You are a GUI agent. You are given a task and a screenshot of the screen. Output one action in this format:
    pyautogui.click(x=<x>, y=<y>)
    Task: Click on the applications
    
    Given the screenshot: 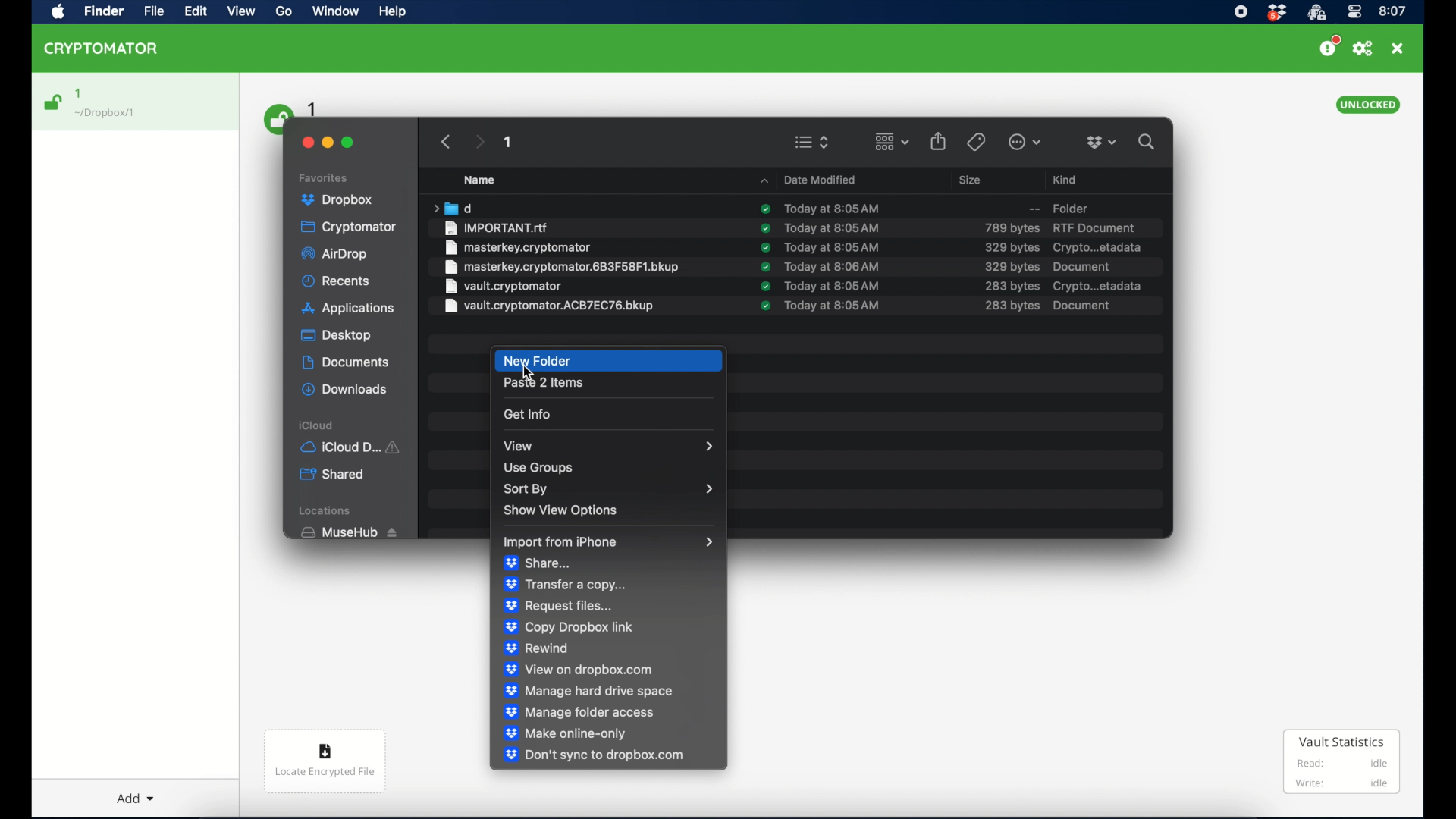 What is the action you would take?
    pyautogui.click(x=349, y=309)
    